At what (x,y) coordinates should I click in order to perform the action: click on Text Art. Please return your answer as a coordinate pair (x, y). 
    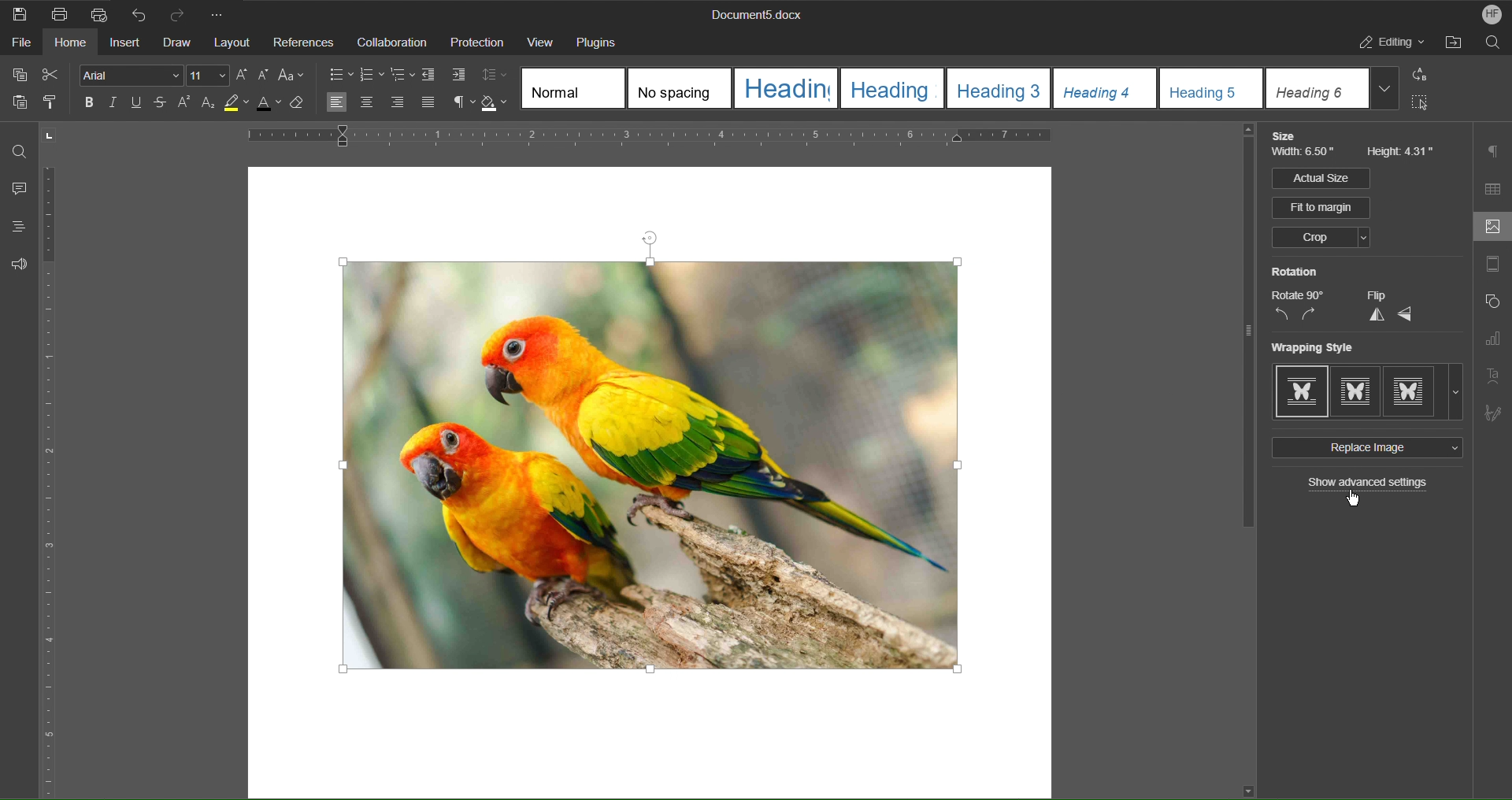
    Looking at the image, I should click on (1495, 375).